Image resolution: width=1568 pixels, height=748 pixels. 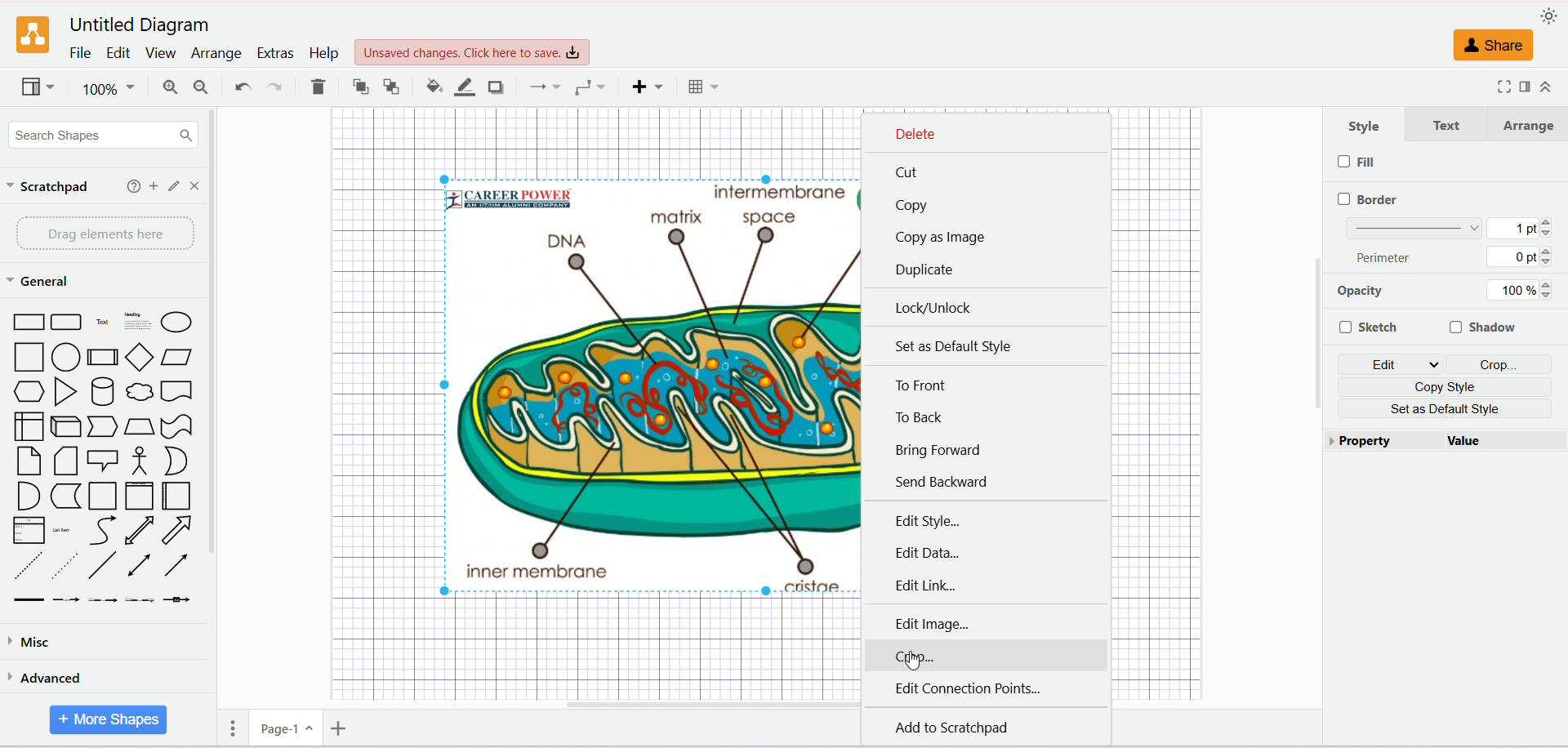 I want to click on edit, so click(x=1392, y=365).